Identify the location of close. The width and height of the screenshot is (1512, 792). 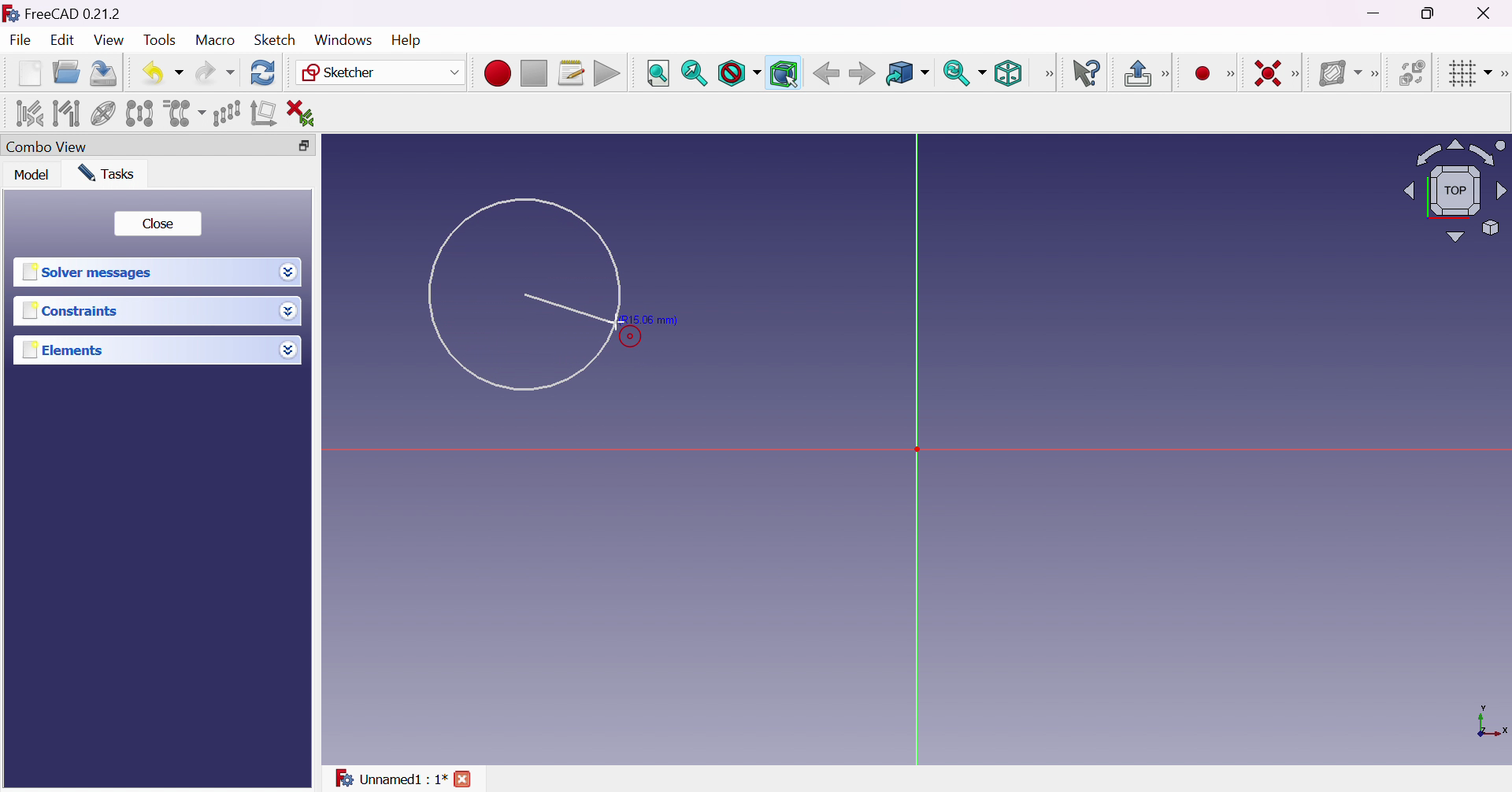
(465, 779).